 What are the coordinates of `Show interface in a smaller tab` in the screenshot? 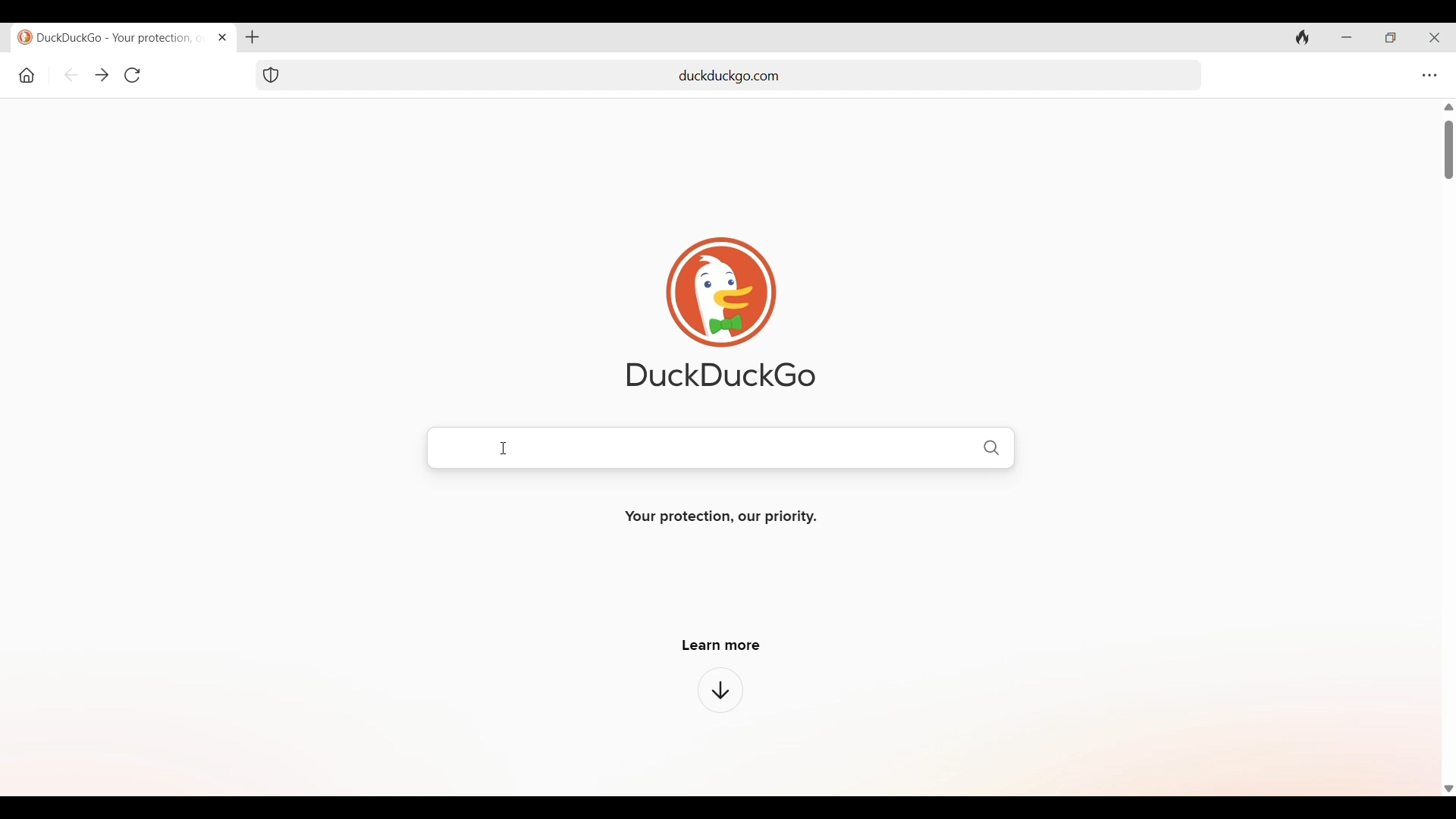 It's located at (1391, 38).